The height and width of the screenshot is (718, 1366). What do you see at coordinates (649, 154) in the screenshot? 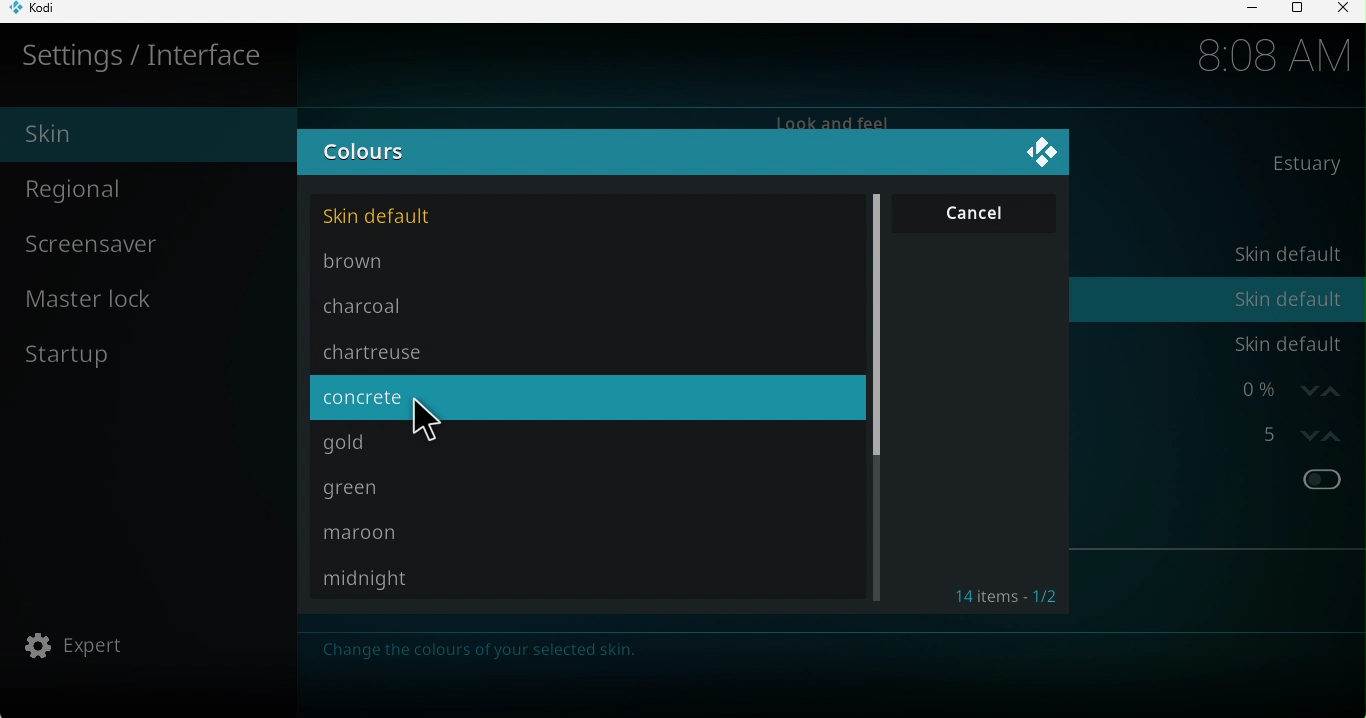
I see `Colours` at bounding box center [649, 154].